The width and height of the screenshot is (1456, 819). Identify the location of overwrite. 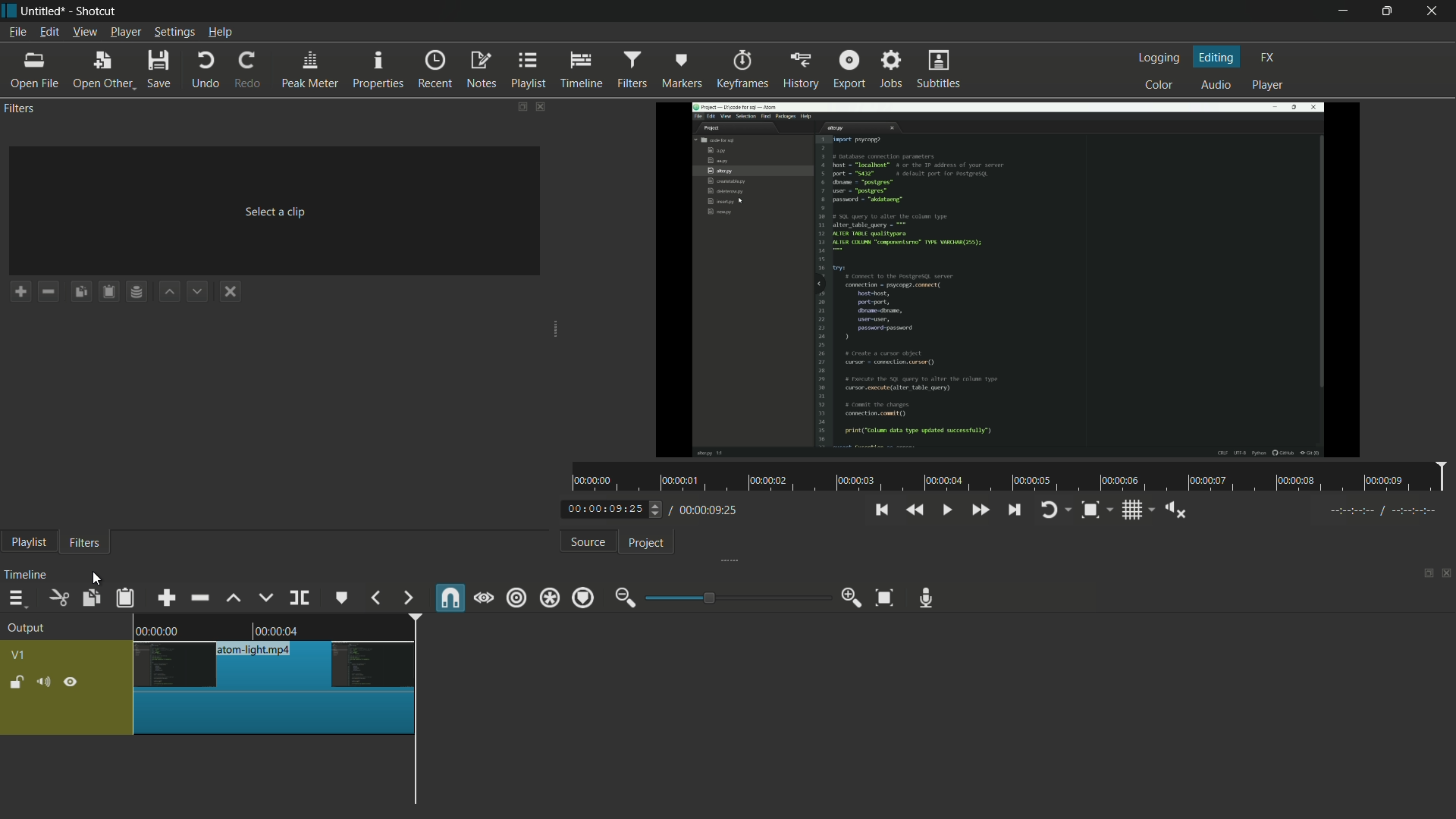
(265, 598).